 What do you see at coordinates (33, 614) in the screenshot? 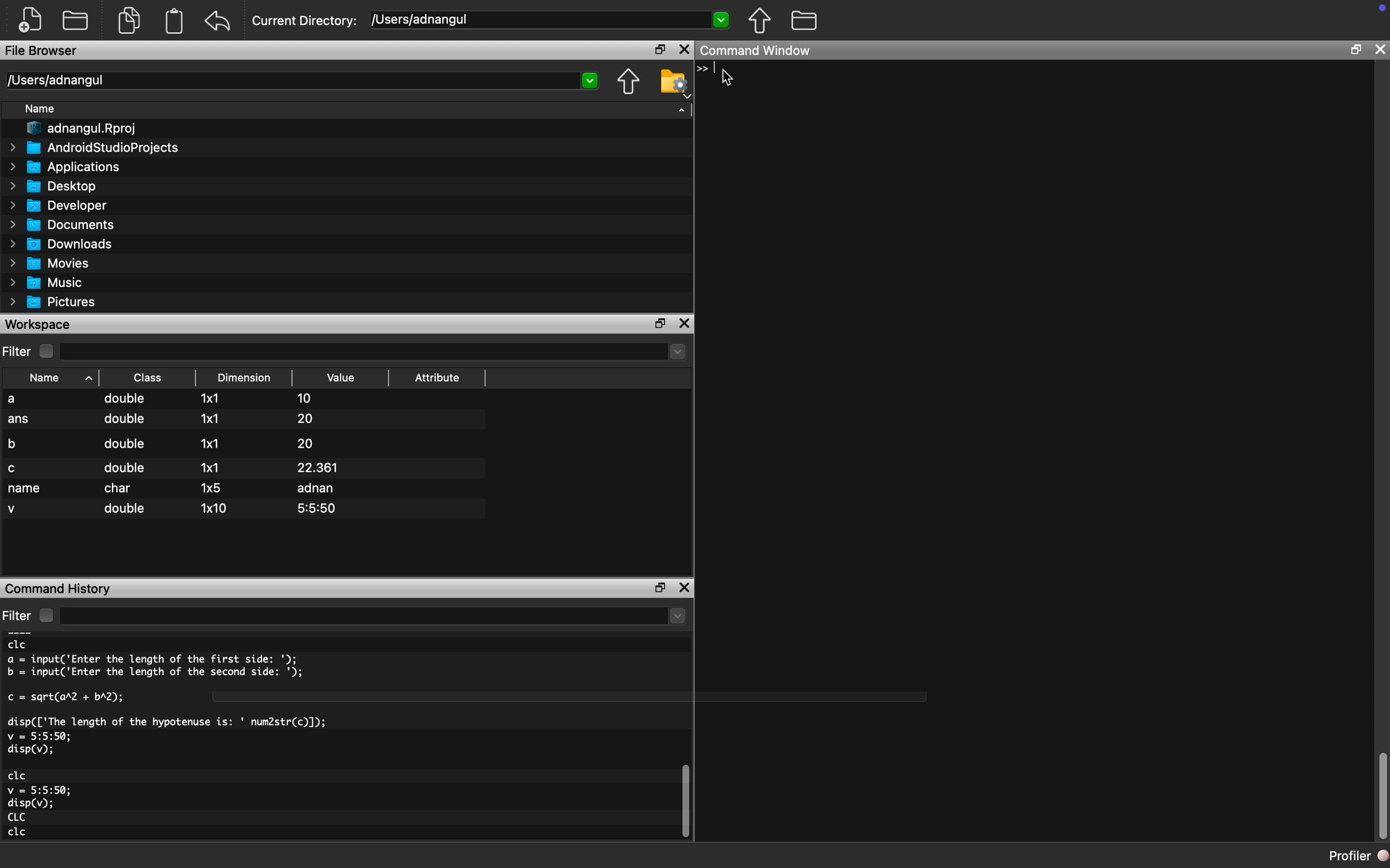
I see `Filter` at bounding box center [33, 614].